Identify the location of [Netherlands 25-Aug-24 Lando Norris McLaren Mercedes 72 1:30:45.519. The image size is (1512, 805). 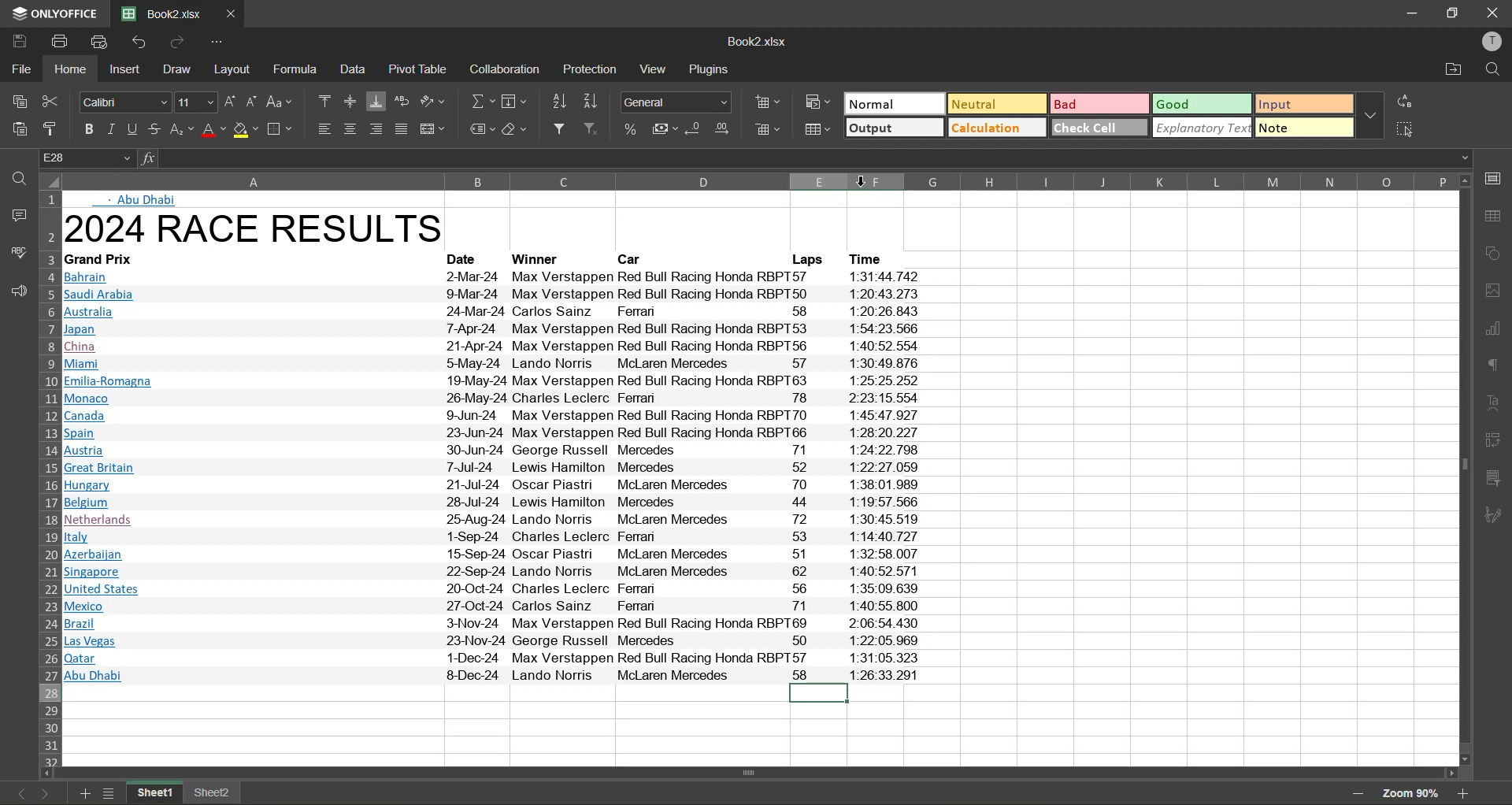
(496, 521).